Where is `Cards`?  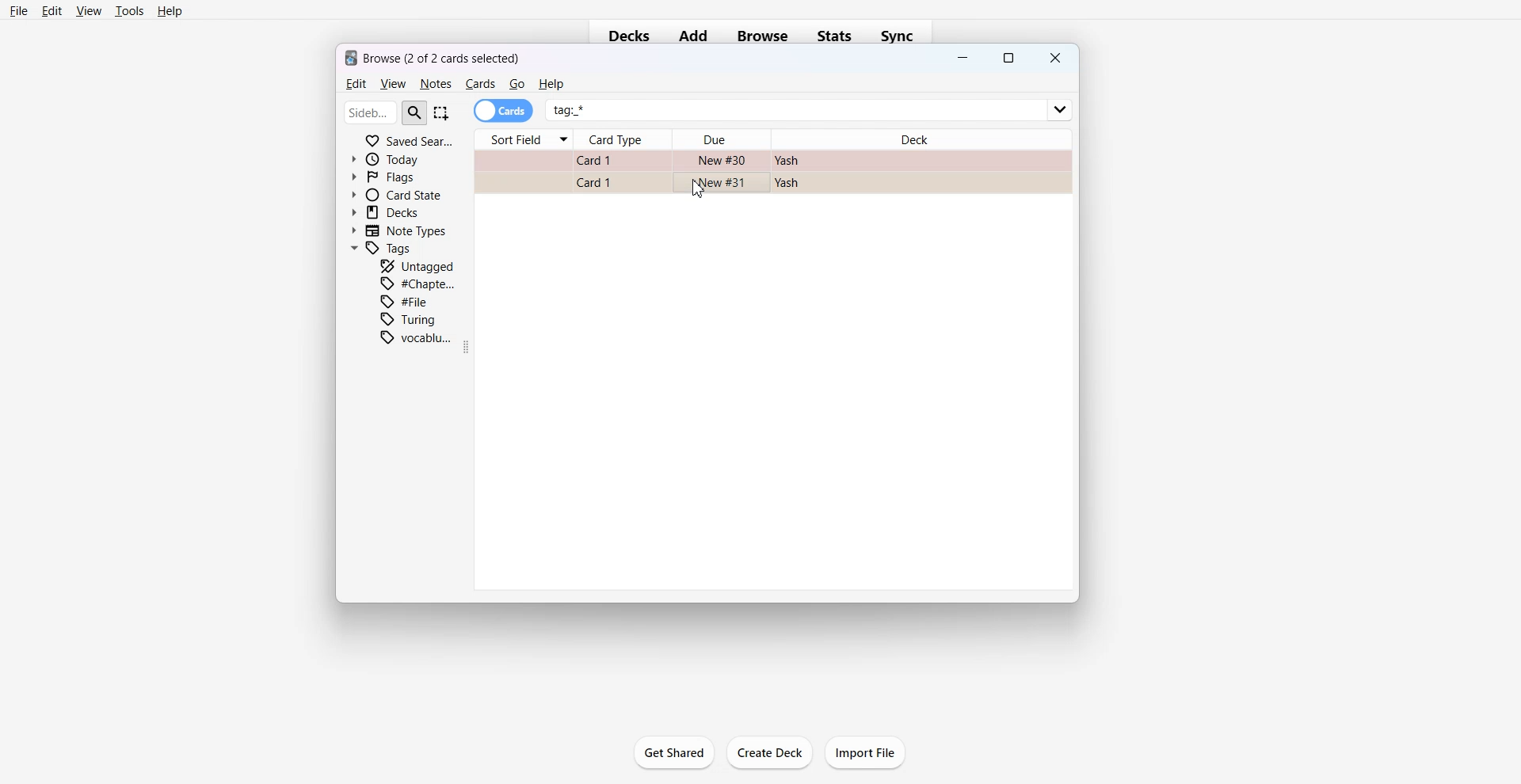
Cards is located at coordinates (504, 111).